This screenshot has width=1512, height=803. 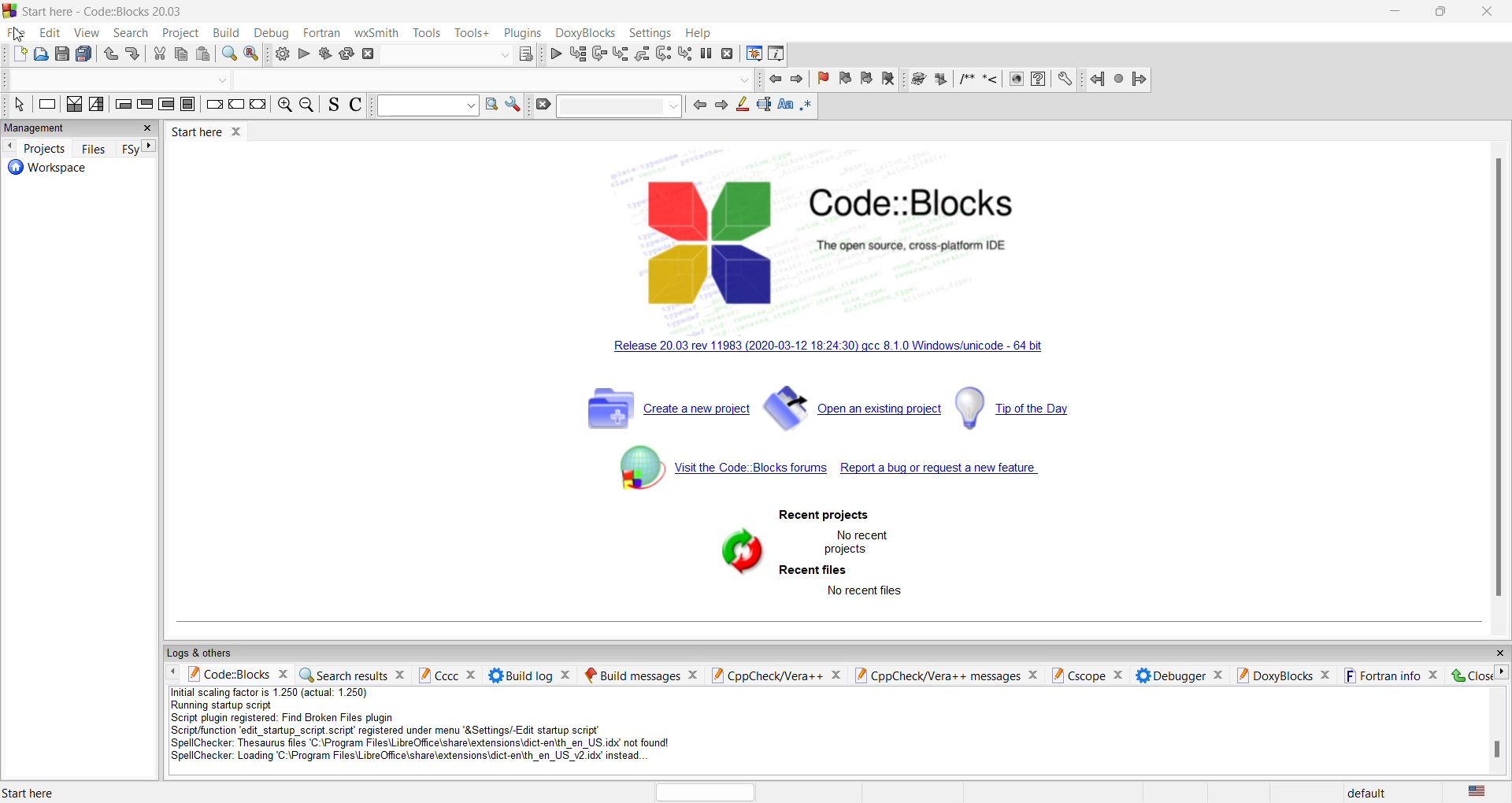 What do you see at coordinates (1367, 790) in the screenshot?
I see `default` at bounding box center [1367, 790].